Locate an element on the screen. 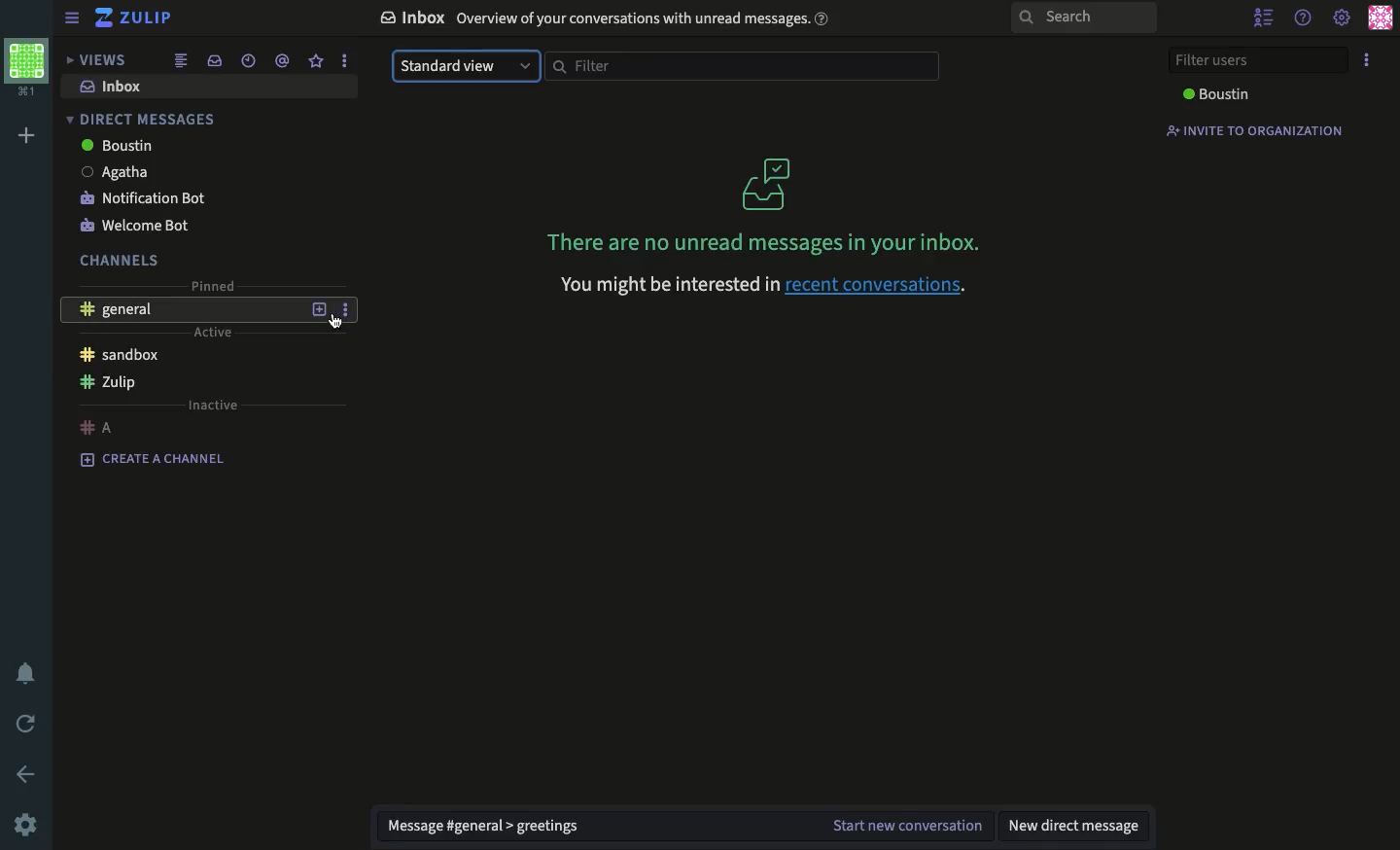 This screenshot has height=850, width=1400. add topic is located at coordinates (317, 310).